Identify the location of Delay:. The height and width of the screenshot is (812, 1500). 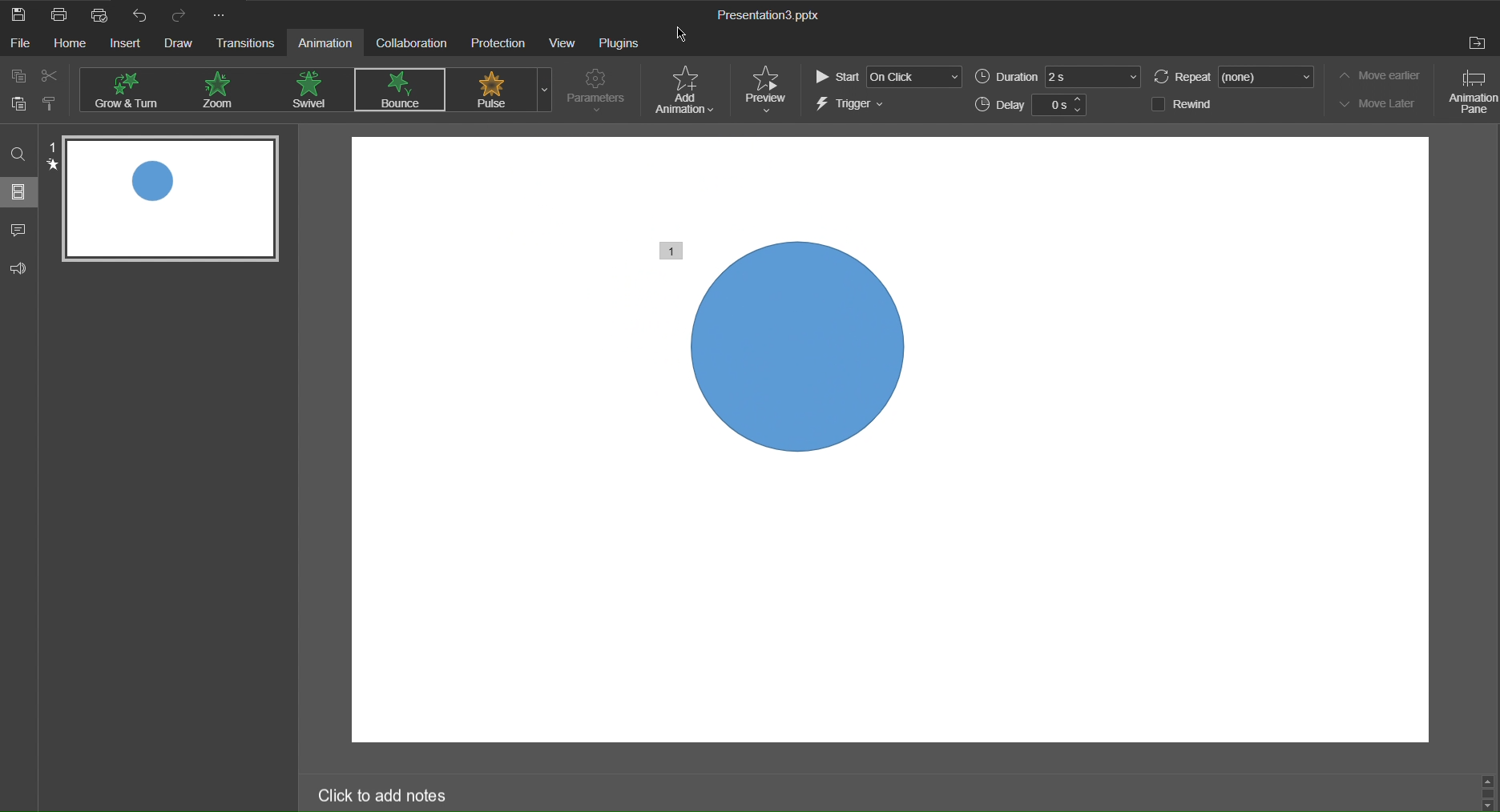
(1000, 106).